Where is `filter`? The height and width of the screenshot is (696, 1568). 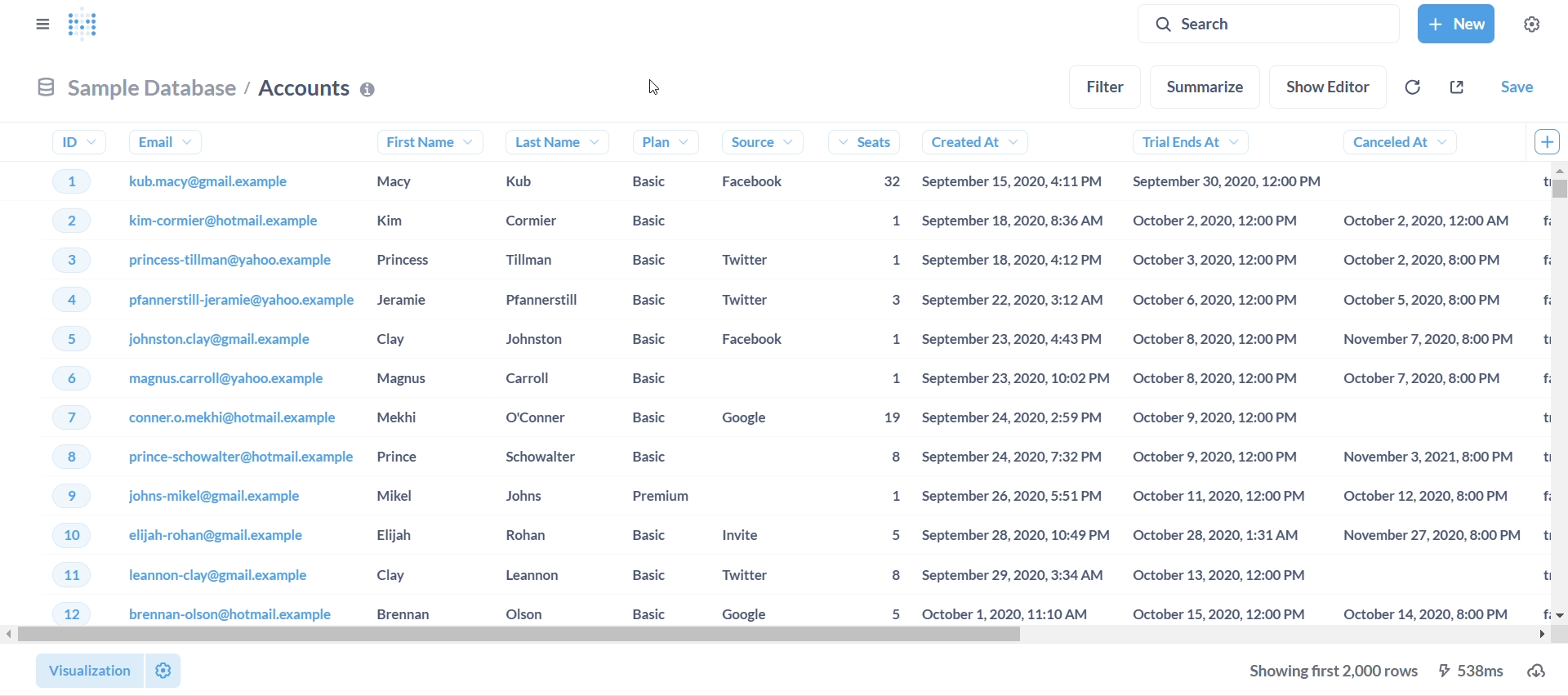
filter is located at coordinates (1103, 86).